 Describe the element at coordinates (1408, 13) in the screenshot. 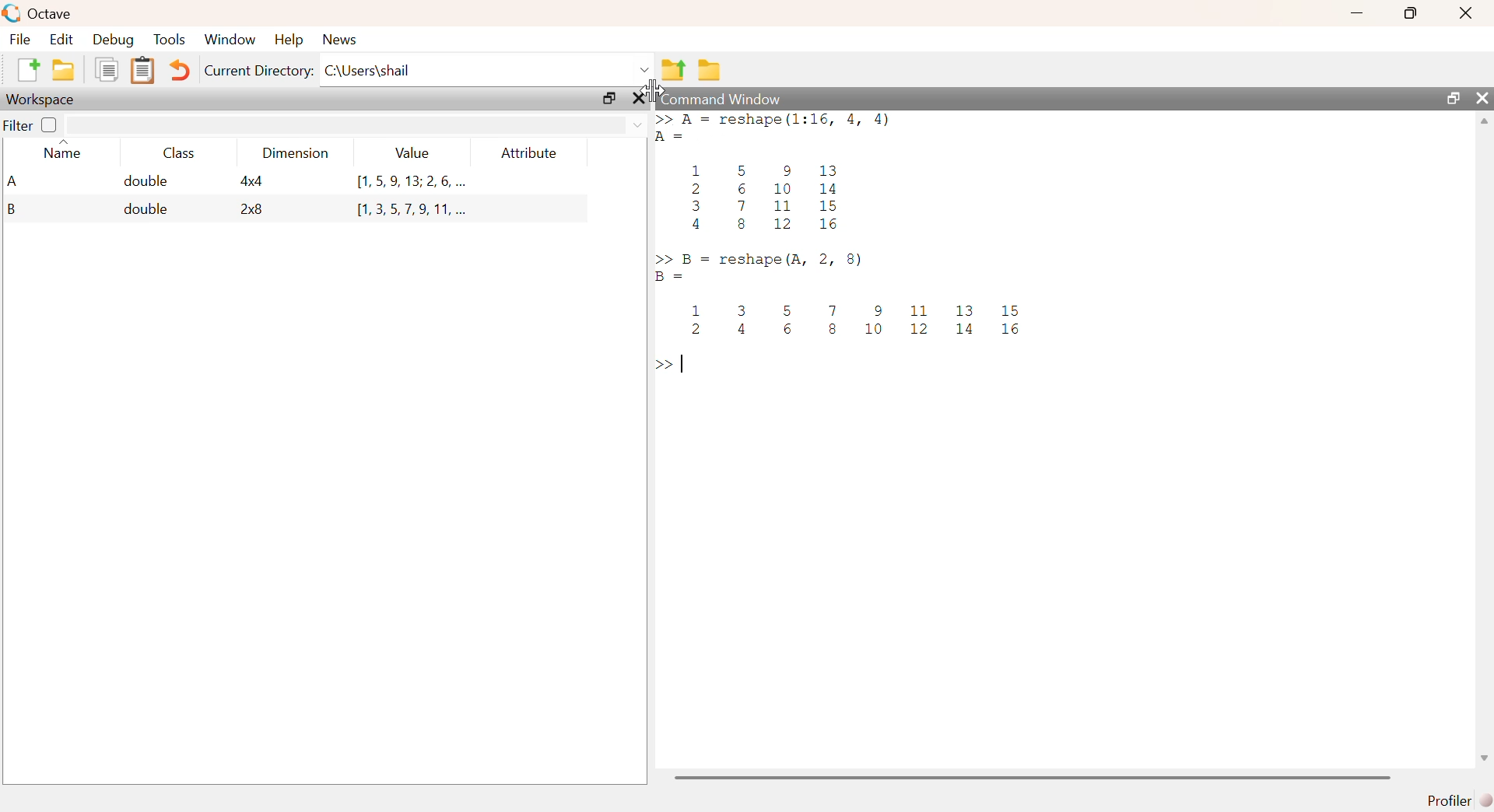

I see `maximize` at that location.